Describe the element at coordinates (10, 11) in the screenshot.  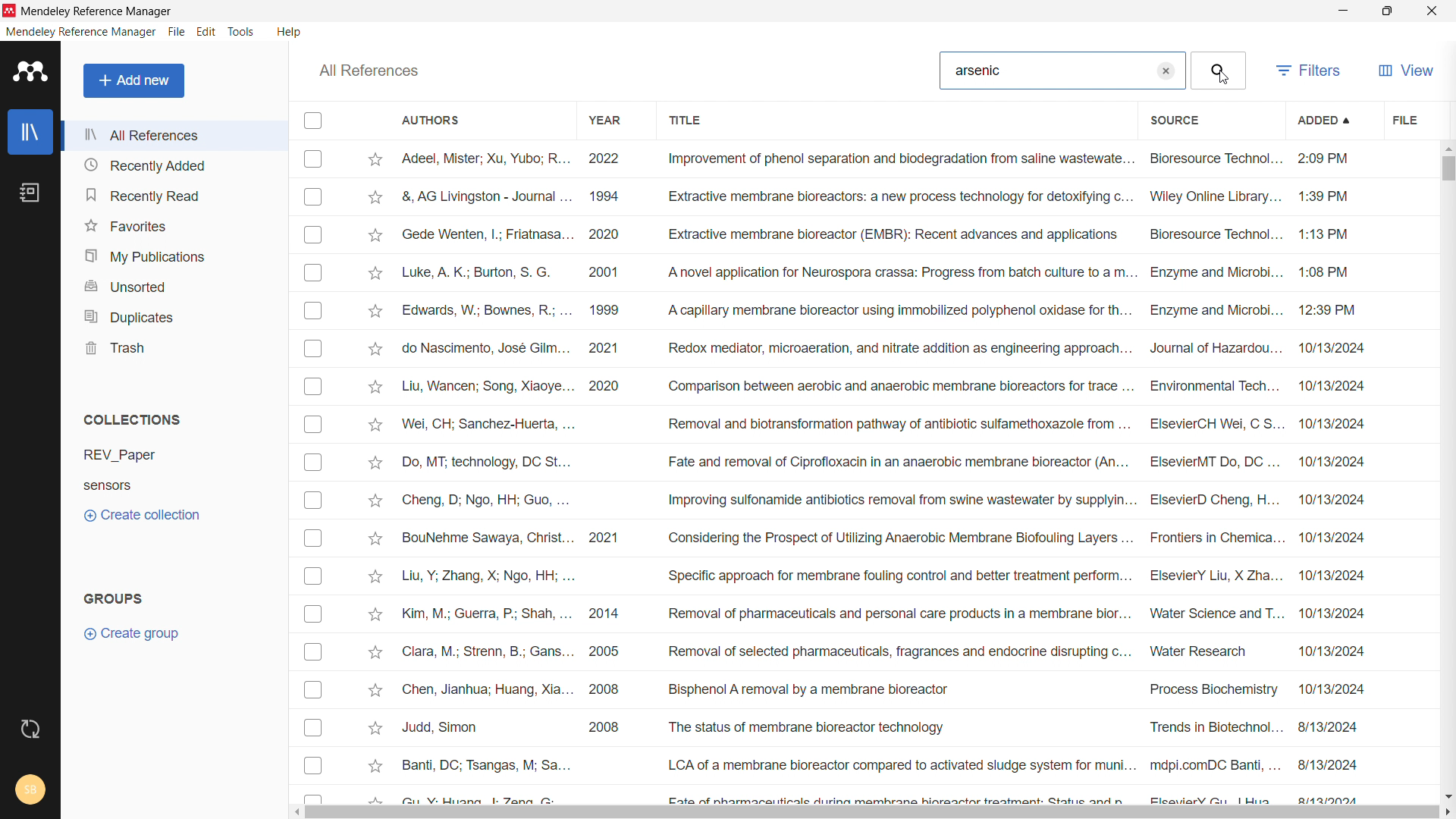
I see `logo` at that location.